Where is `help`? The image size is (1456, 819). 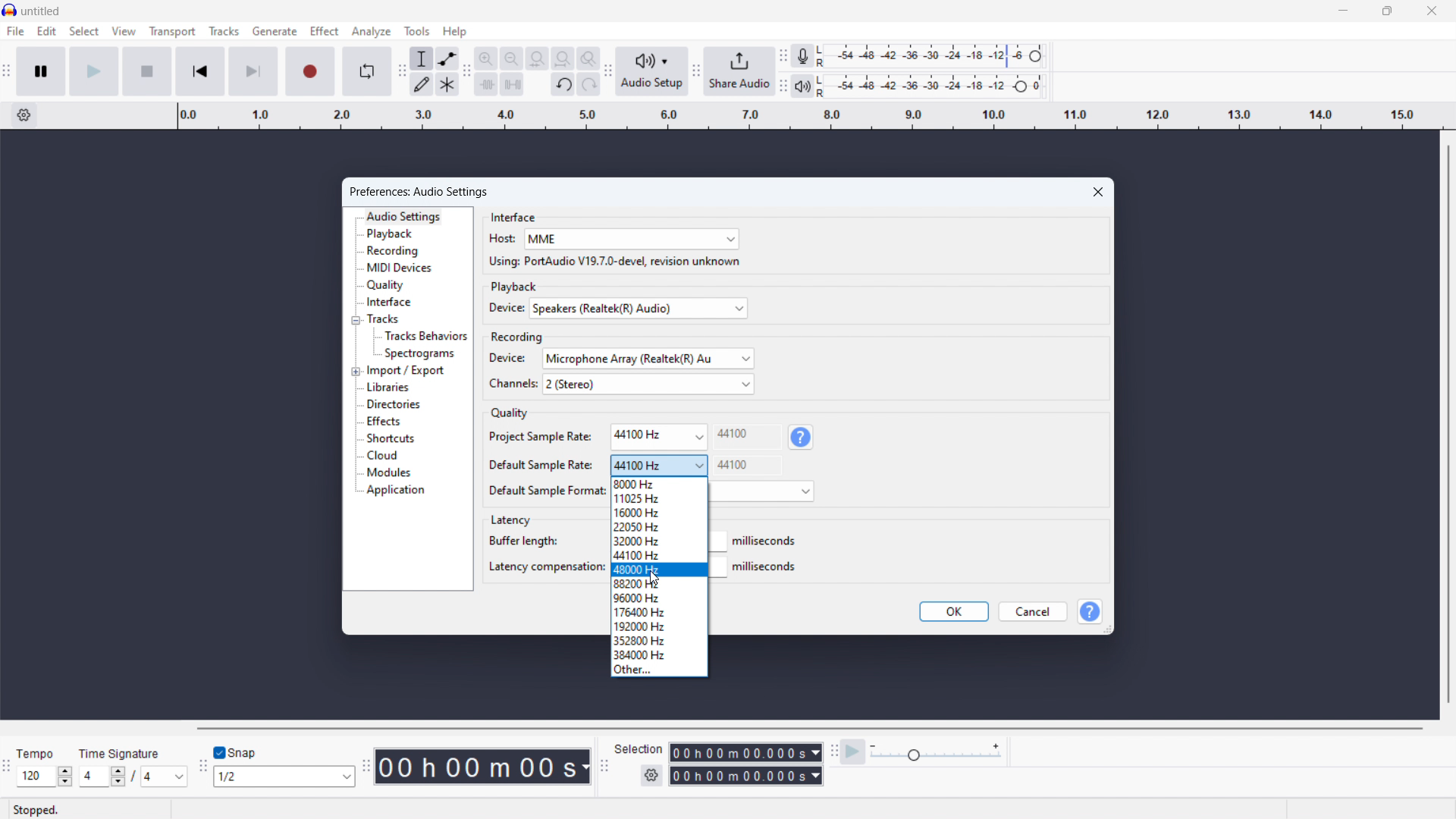
help is located at coordinates (455, 31).